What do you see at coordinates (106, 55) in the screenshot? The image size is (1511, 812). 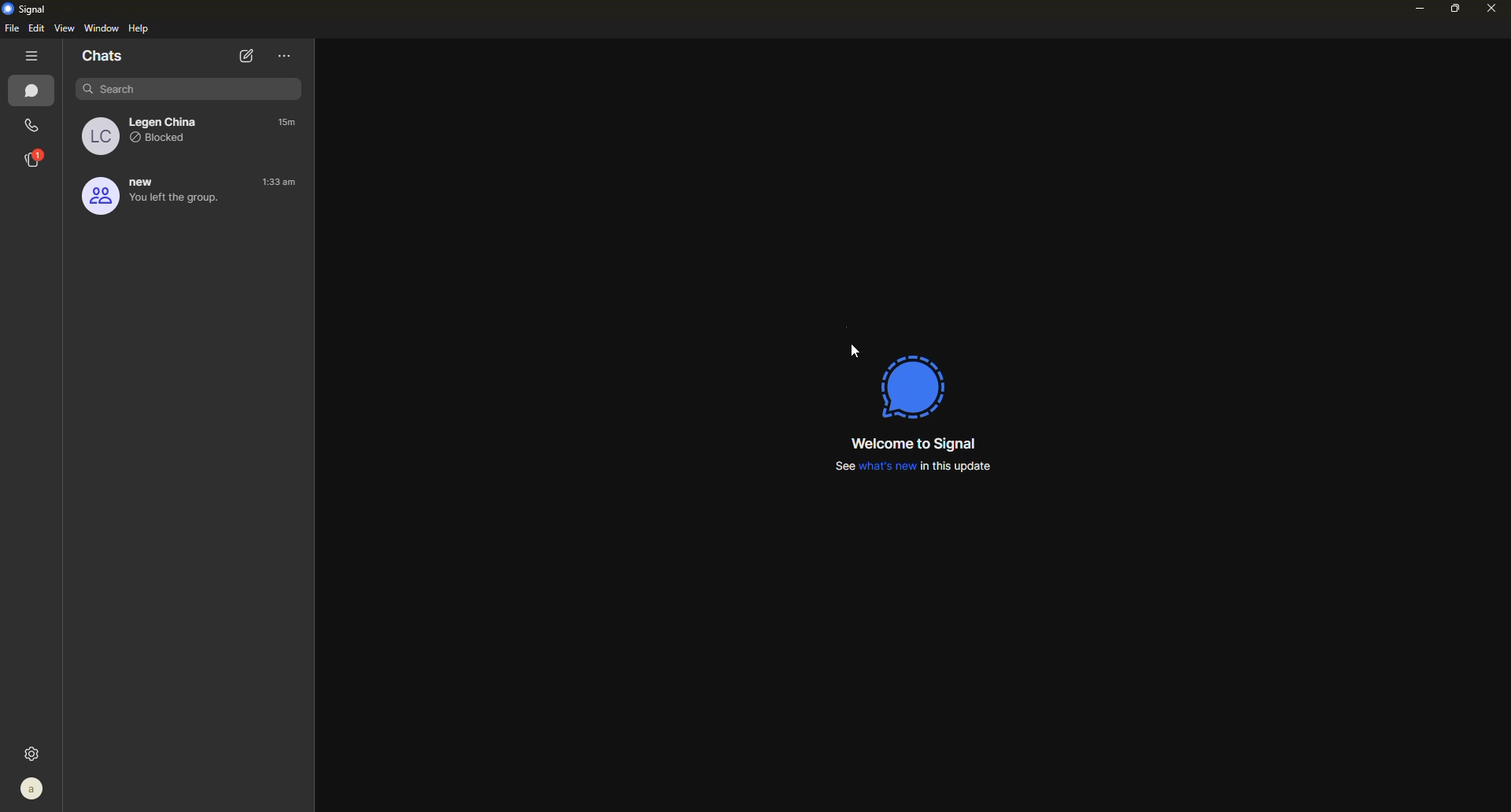 I see `chats` at bounding box center [106, 55].